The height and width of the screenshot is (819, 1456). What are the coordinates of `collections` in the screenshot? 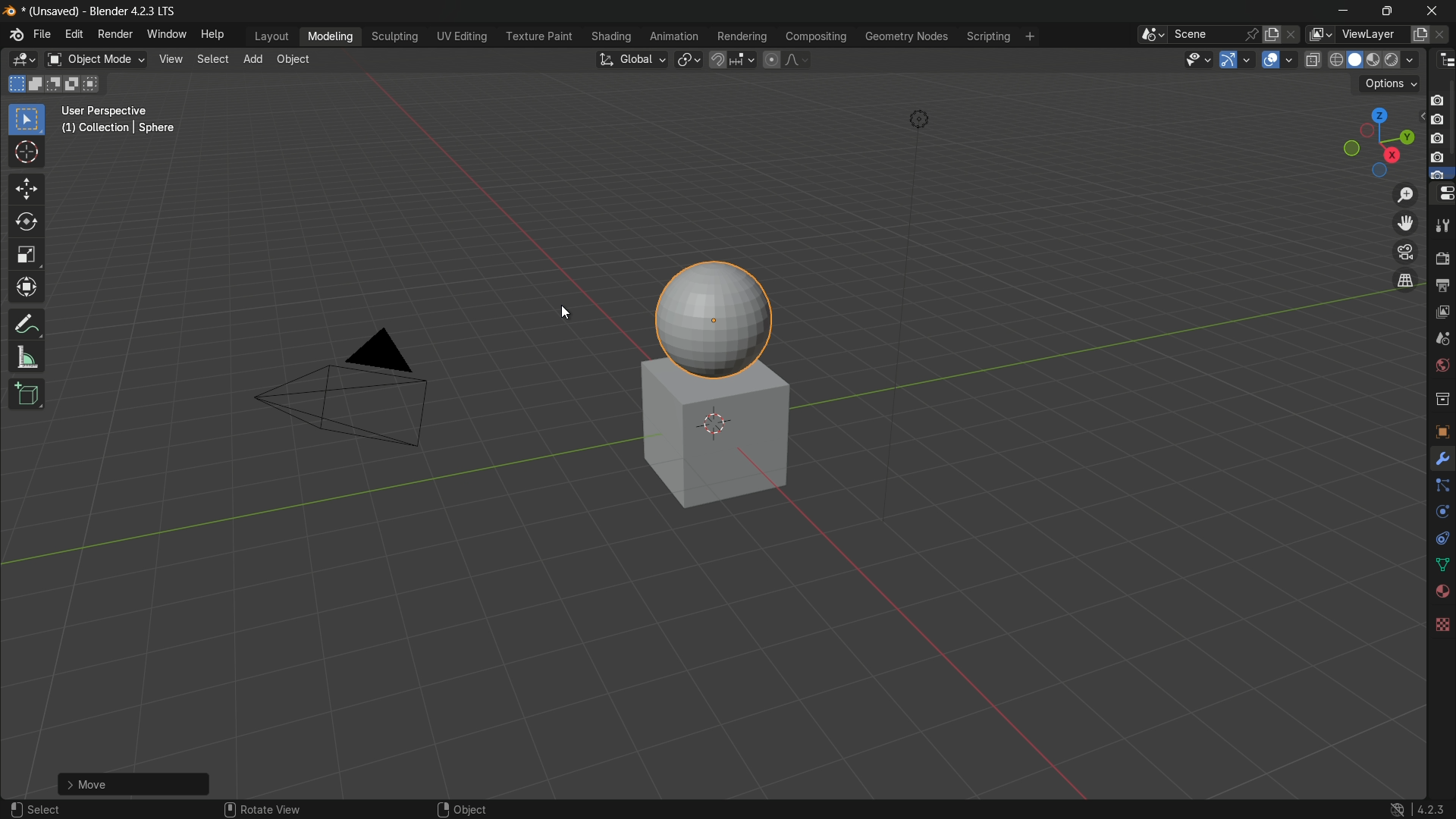 It's located at (1441, 399).